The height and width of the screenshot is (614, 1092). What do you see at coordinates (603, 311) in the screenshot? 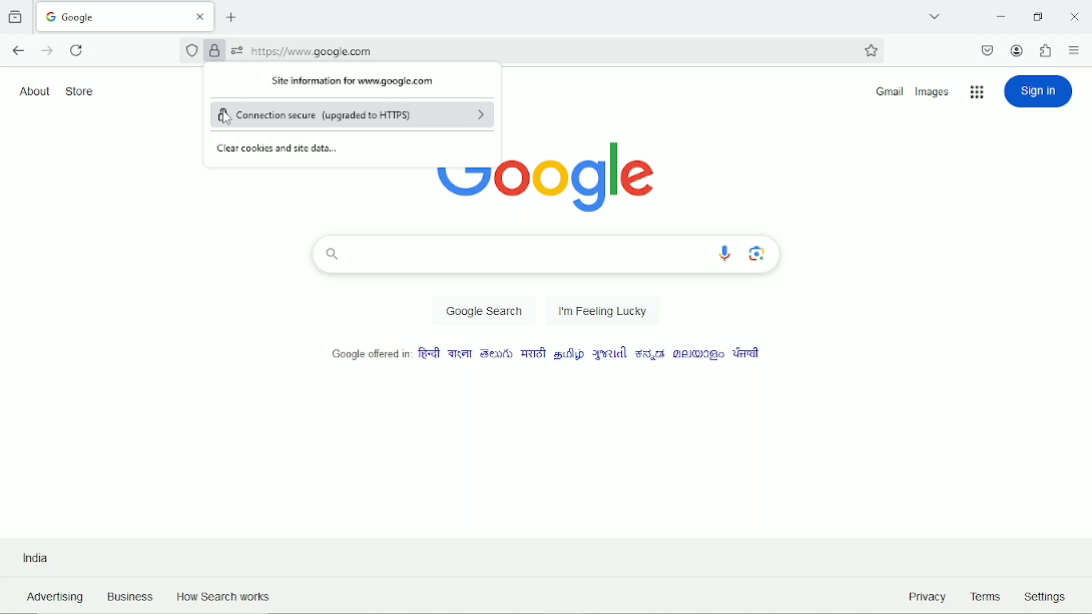
I see `I'm feeling lucky` at bounding box center [603, 311].